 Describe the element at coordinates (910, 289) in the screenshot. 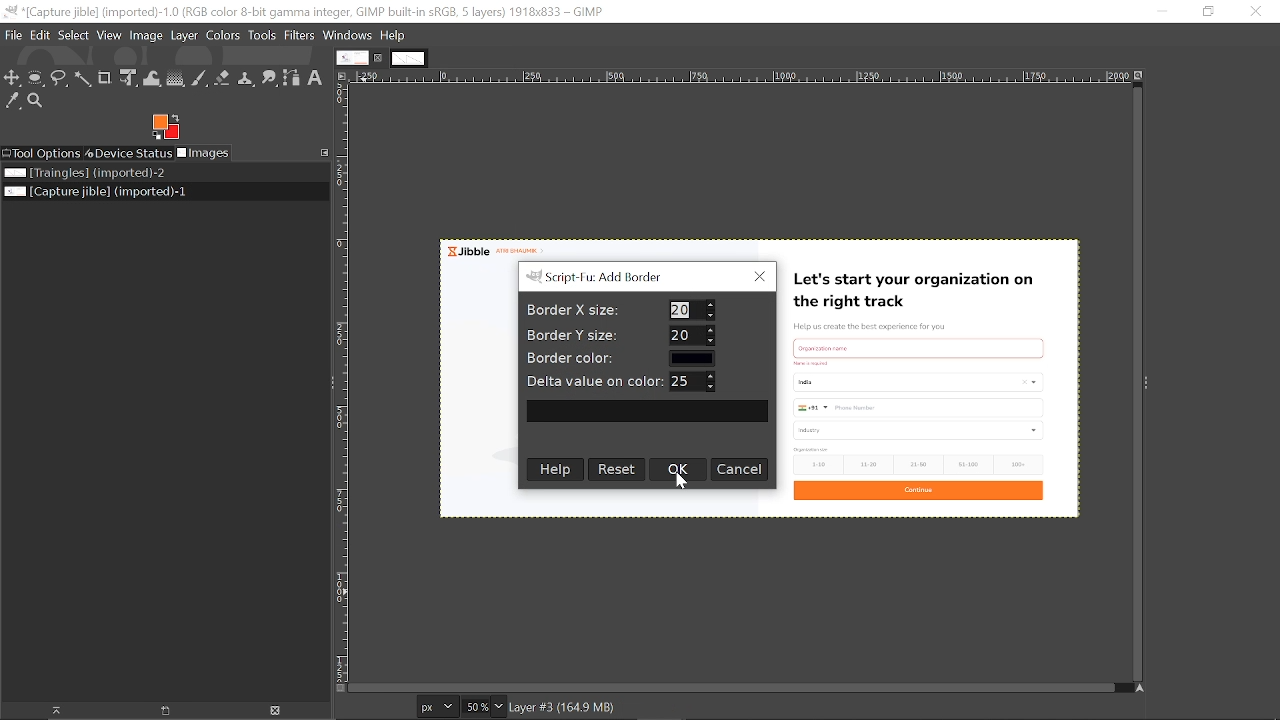

I see `Let's start your organization on
the right track` at that location.